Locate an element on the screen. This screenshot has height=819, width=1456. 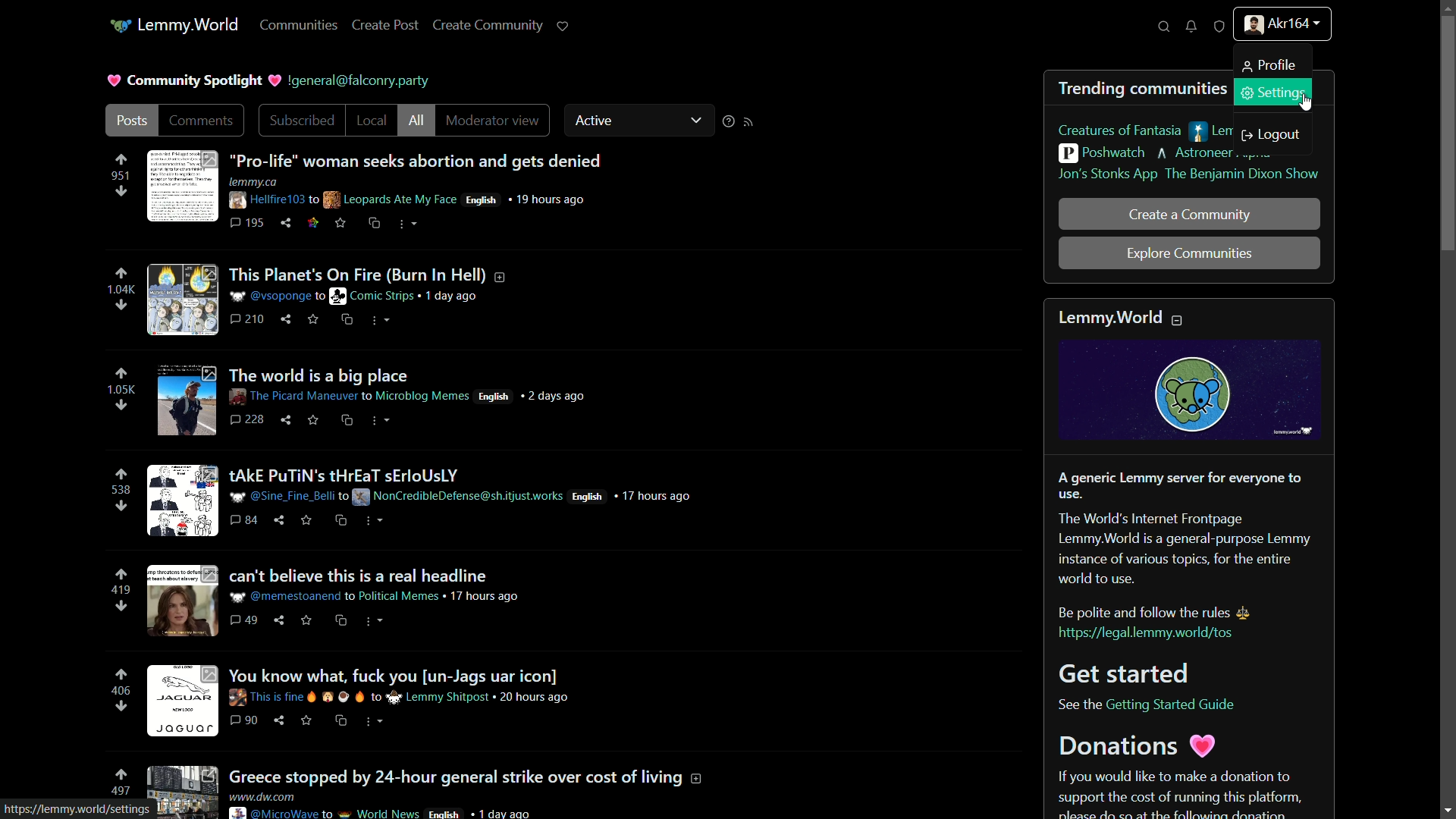
lemmy.world is located at coordinates (190, 24).